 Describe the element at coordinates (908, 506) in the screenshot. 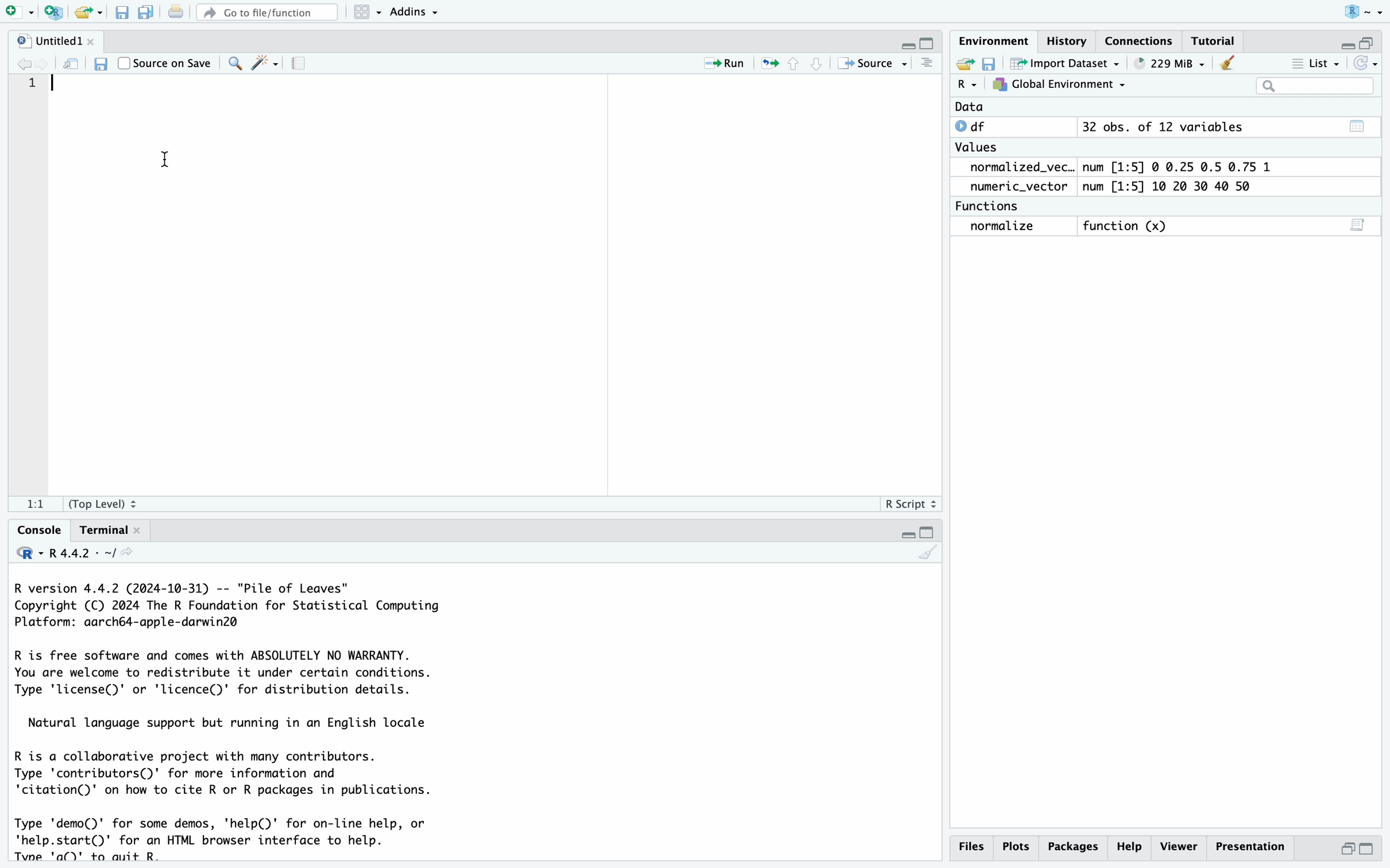

I see `R Script` at that location.